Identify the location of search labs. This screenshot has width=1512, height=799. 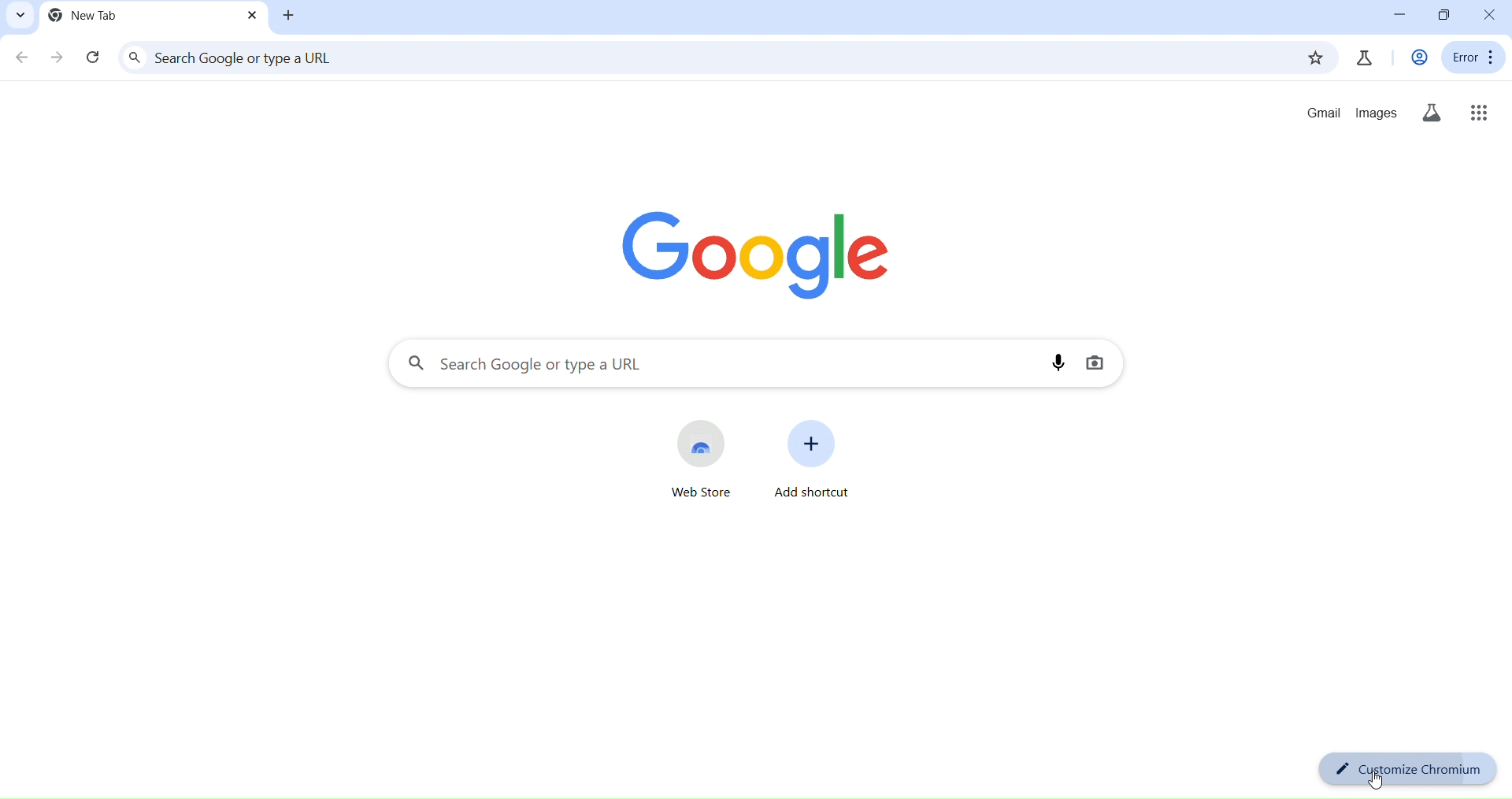
(1432, 113).